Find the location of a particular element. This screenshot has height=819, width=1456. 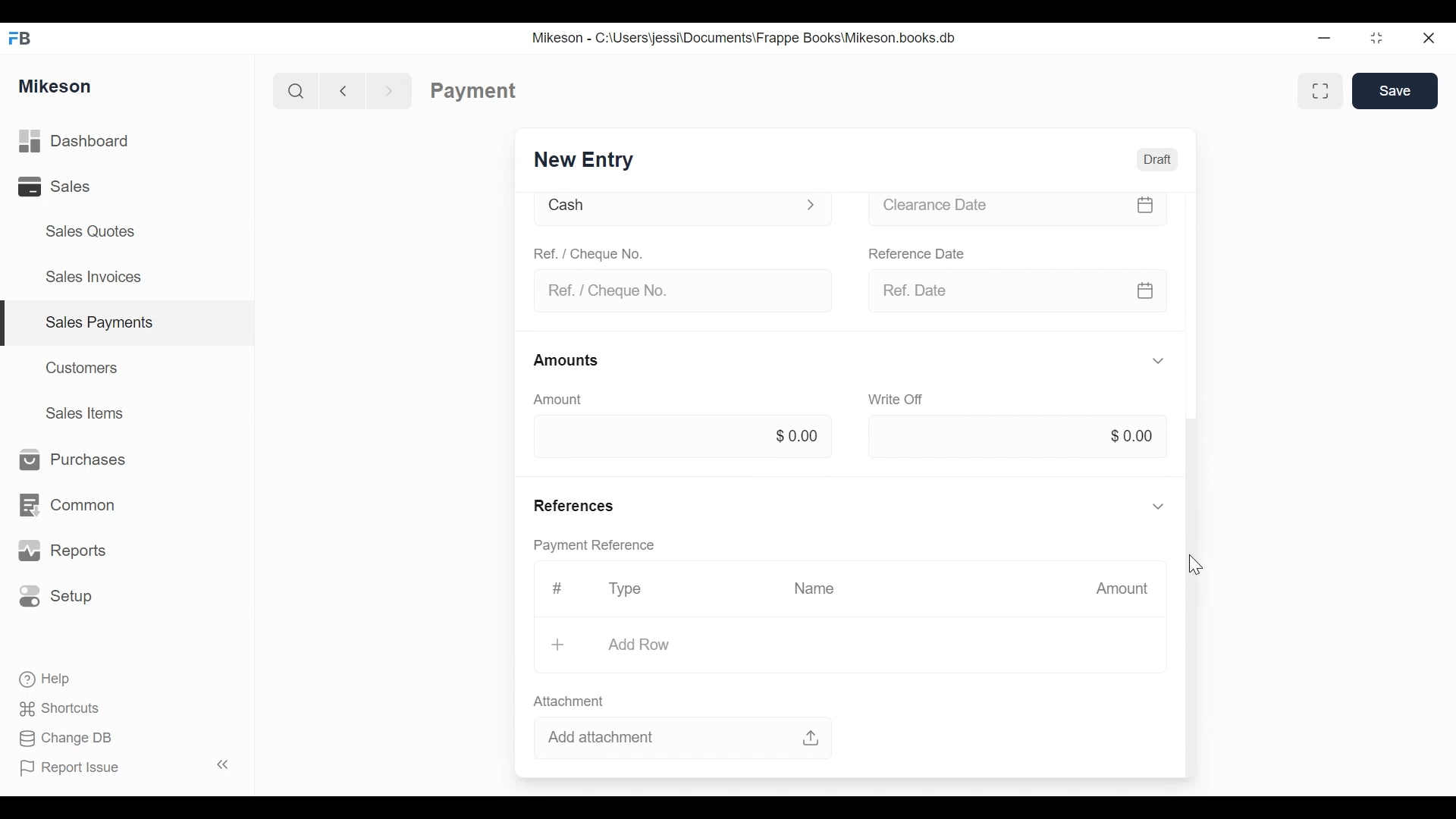

save is located at coordinates (1392, 91).